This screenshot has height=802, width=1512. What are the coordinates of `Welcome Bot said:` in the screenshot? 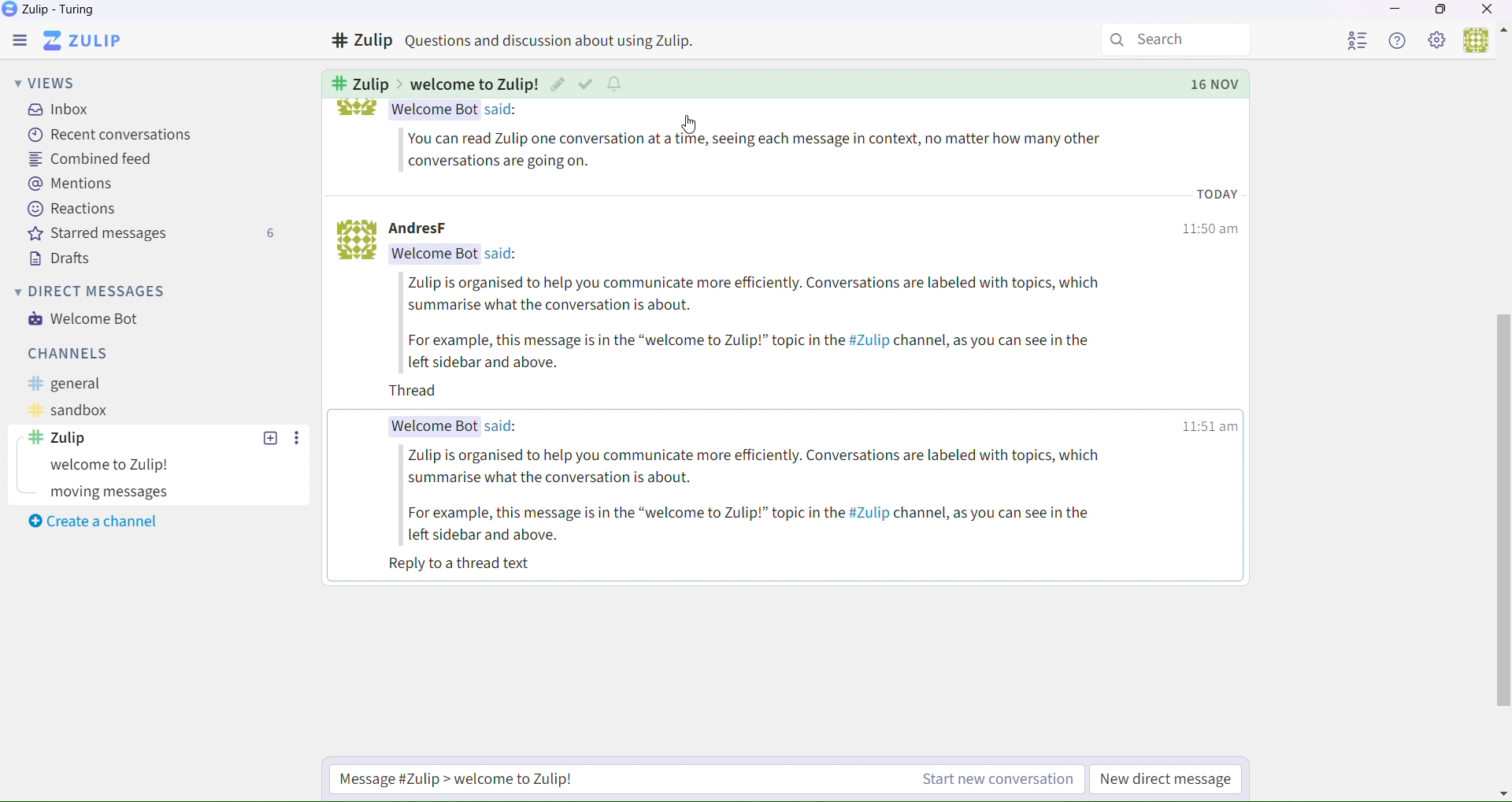 It's located at (480, 425).